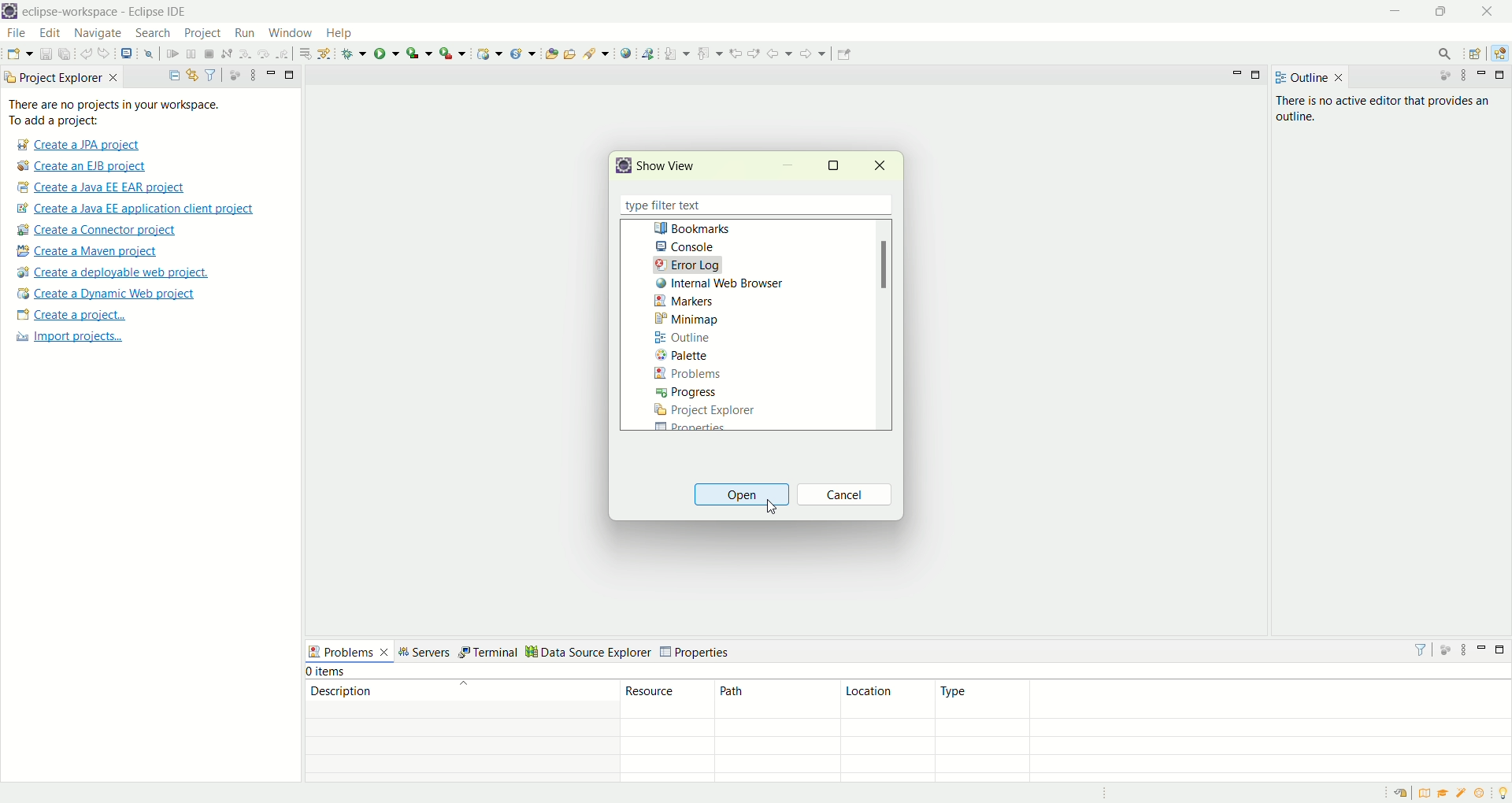 The image size is (1512, 803). What do you see at coordinates (1473, 52) in the screenshot?
I see `open perspective` at bounding box center [1473, 52].